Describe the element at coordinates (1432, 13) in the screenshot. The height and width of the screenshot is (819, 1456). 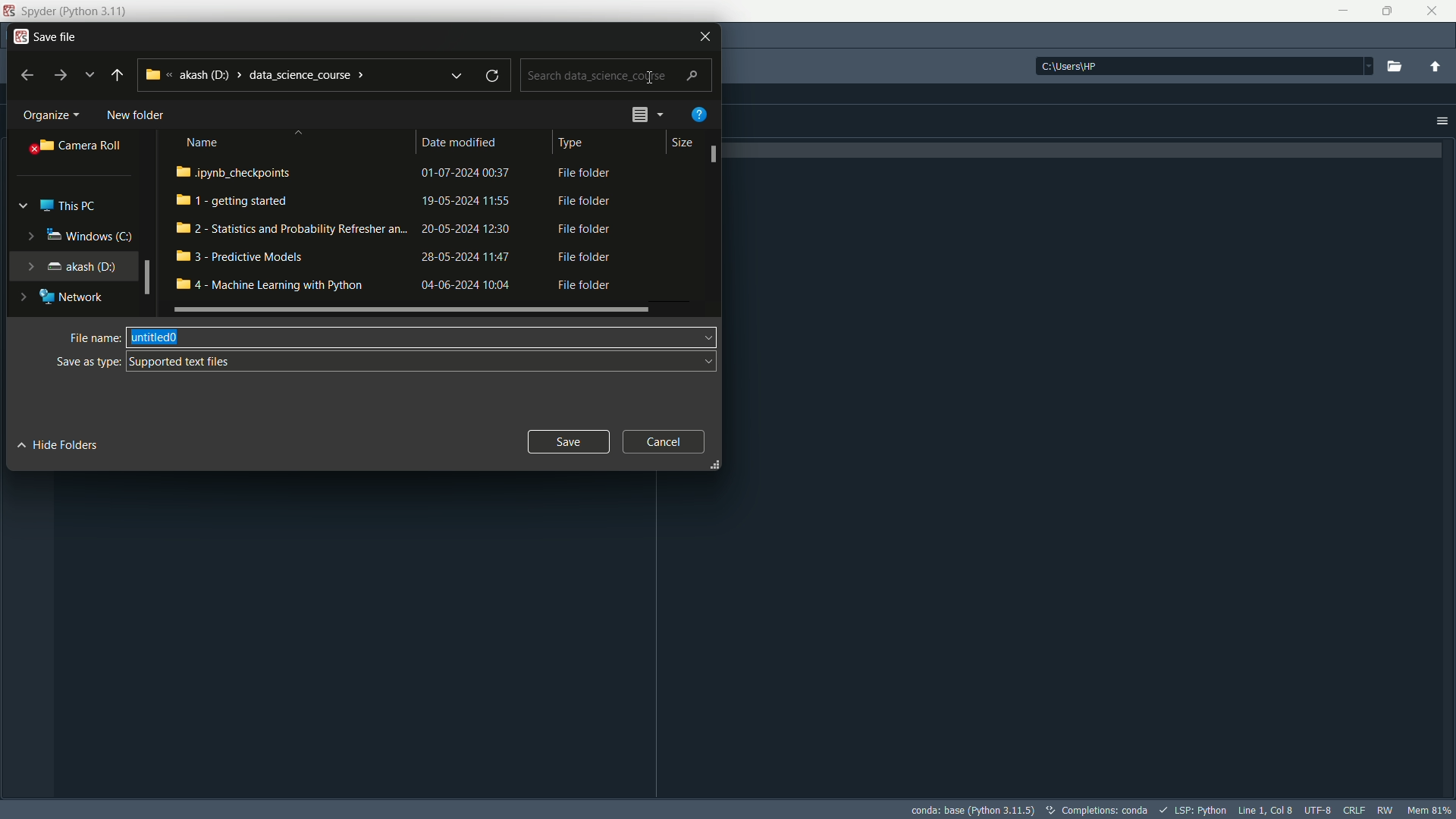
I see `close` at that location.